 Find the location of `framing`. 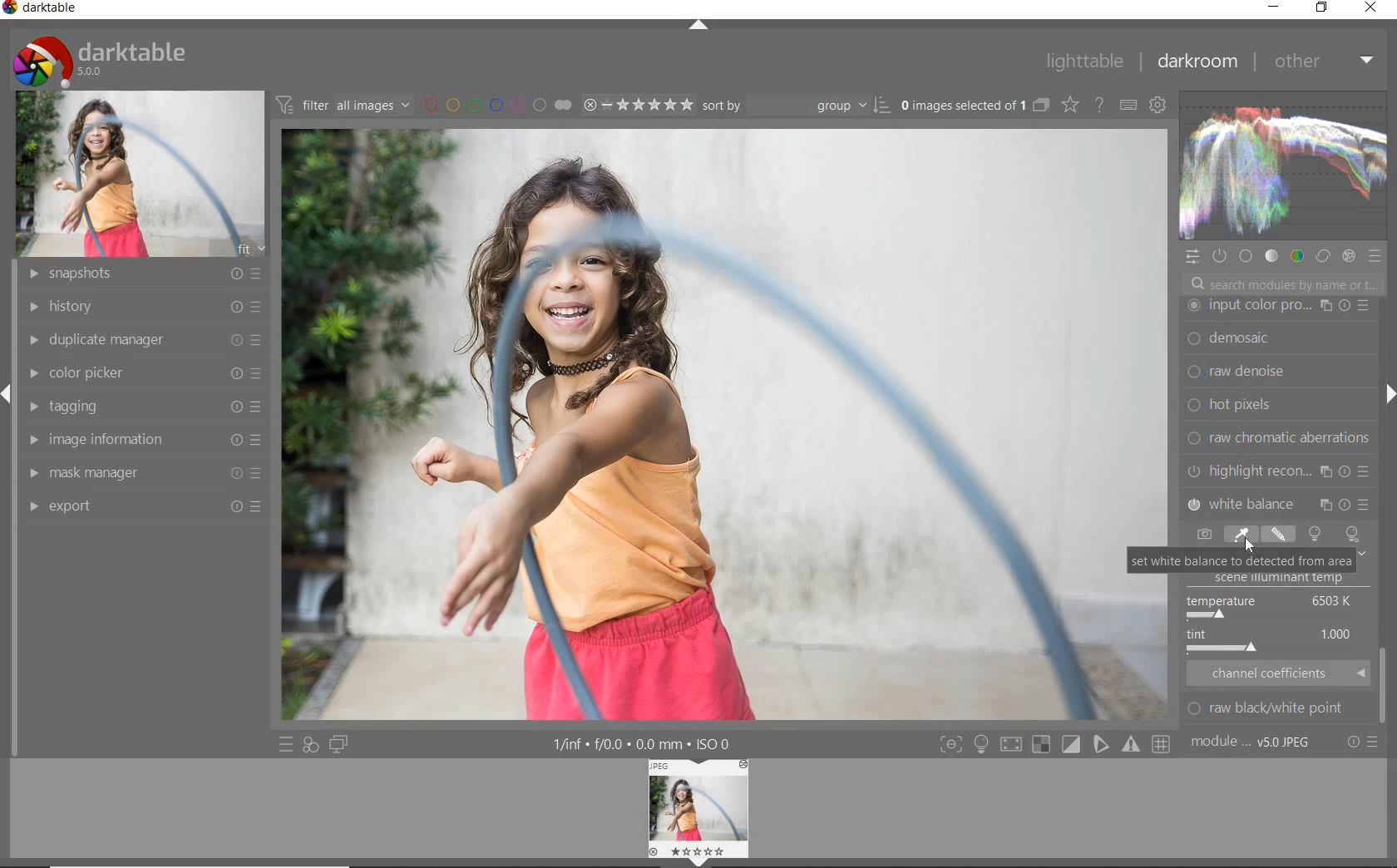

framing is located at coordinates (1277, 340).